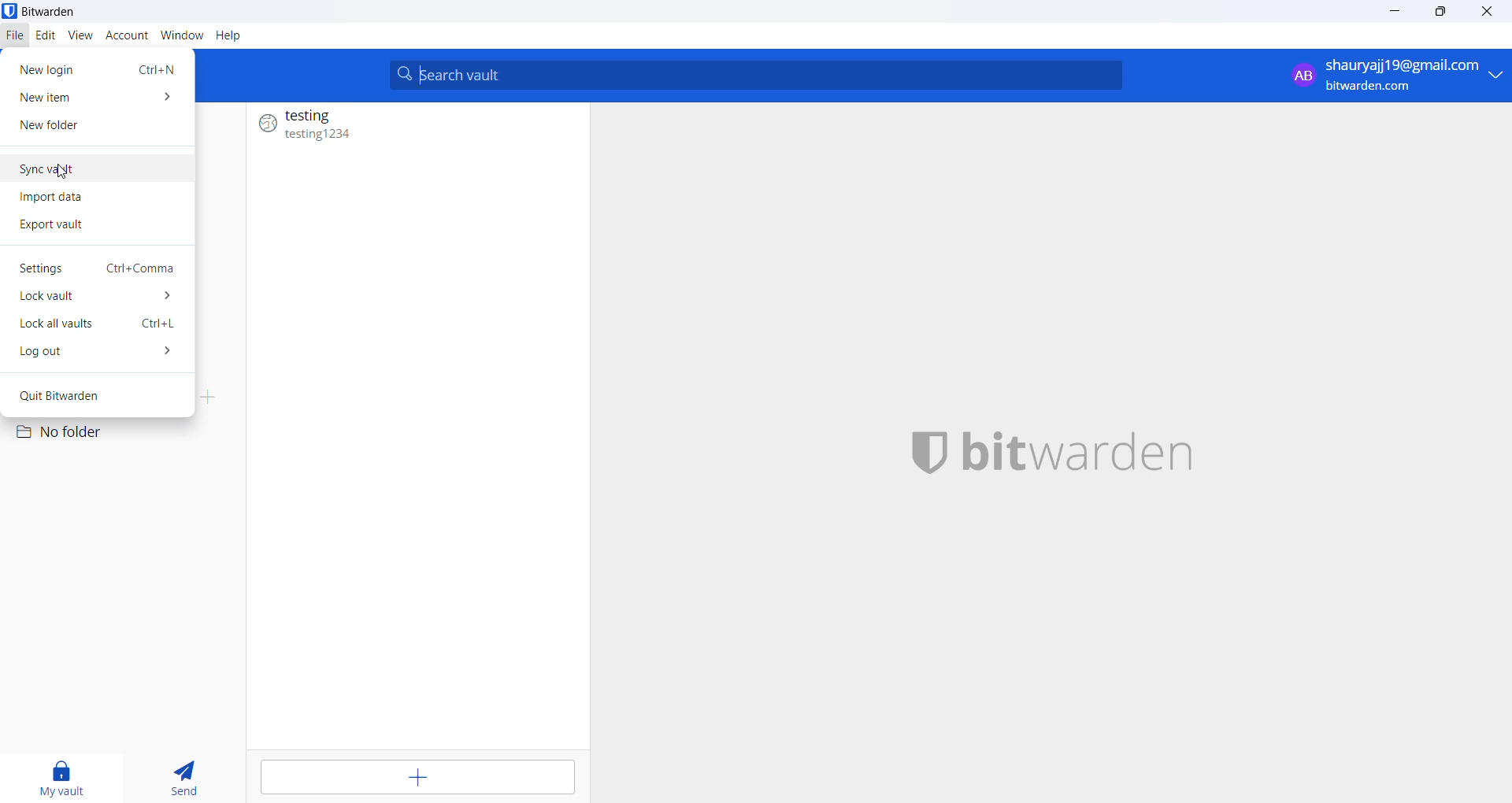 The height and width of the screenshot is (803, 1512). What do you see at coordinates (98, 98) in the screenshot?
I see `new item` at bounding box center [98, 98].